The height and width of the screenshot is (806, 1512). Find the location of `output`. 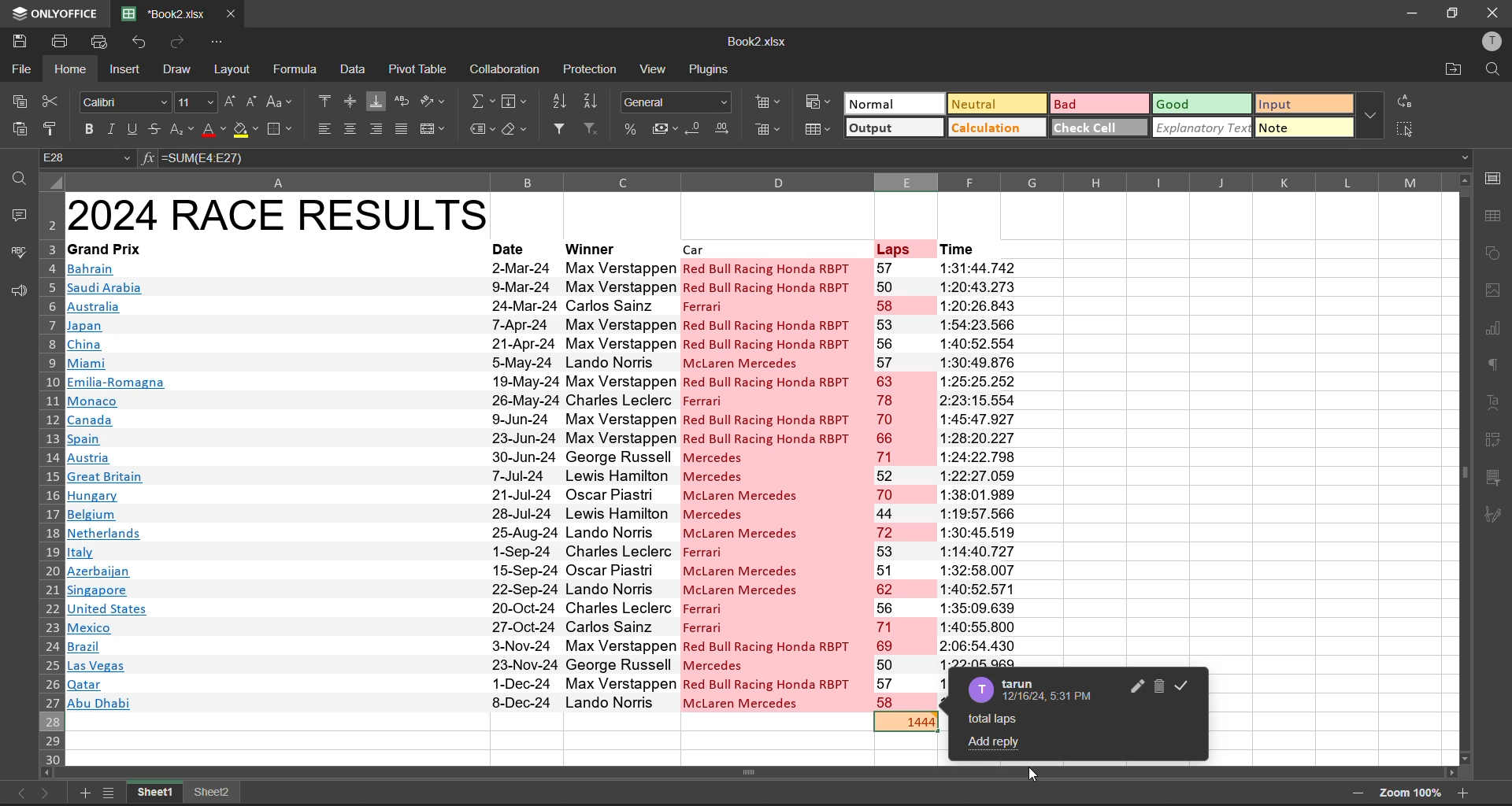

output is located at coordinates (892, 129).